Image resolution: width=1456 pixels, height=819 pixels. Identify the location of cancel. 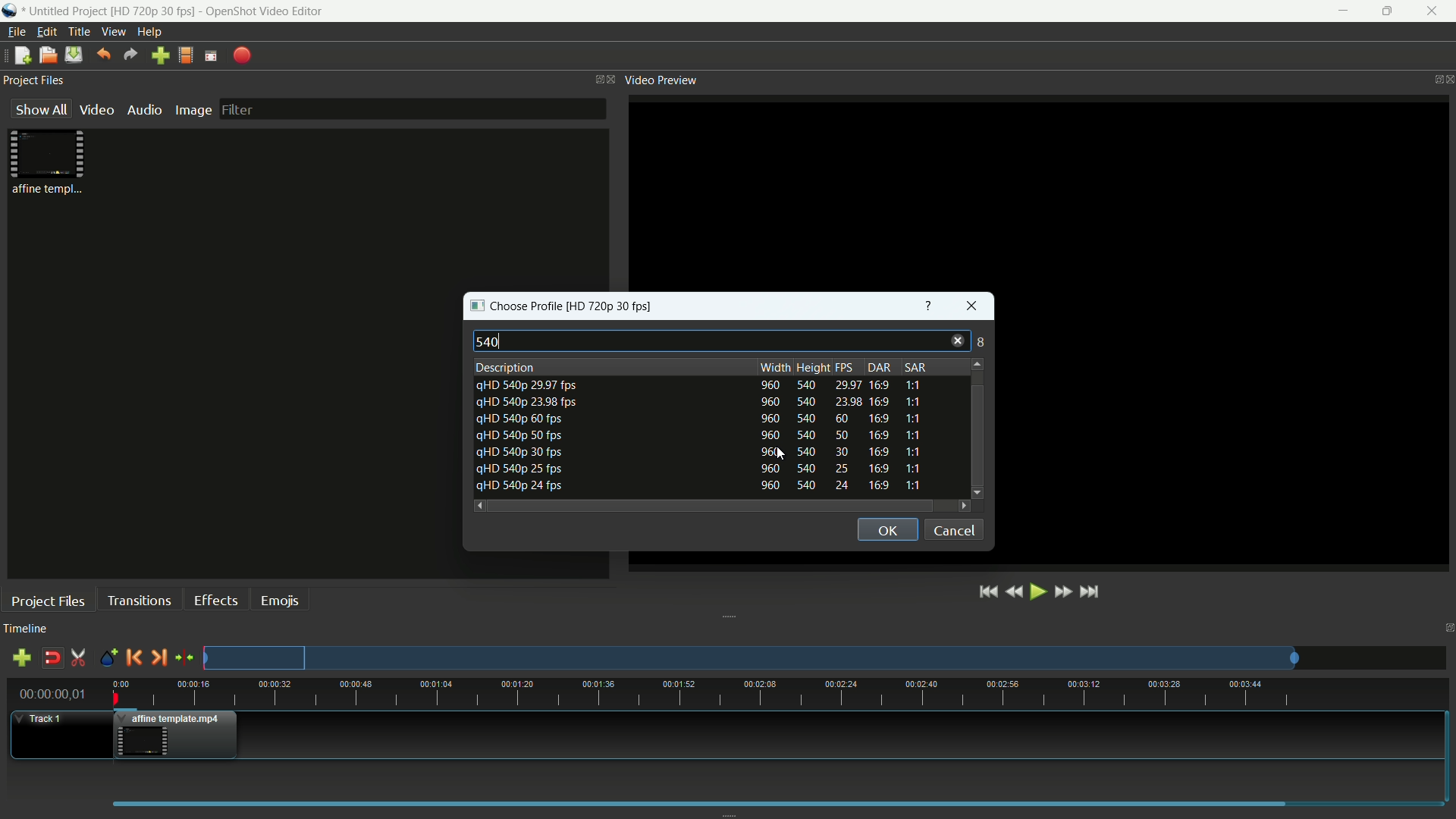
(955, 529).